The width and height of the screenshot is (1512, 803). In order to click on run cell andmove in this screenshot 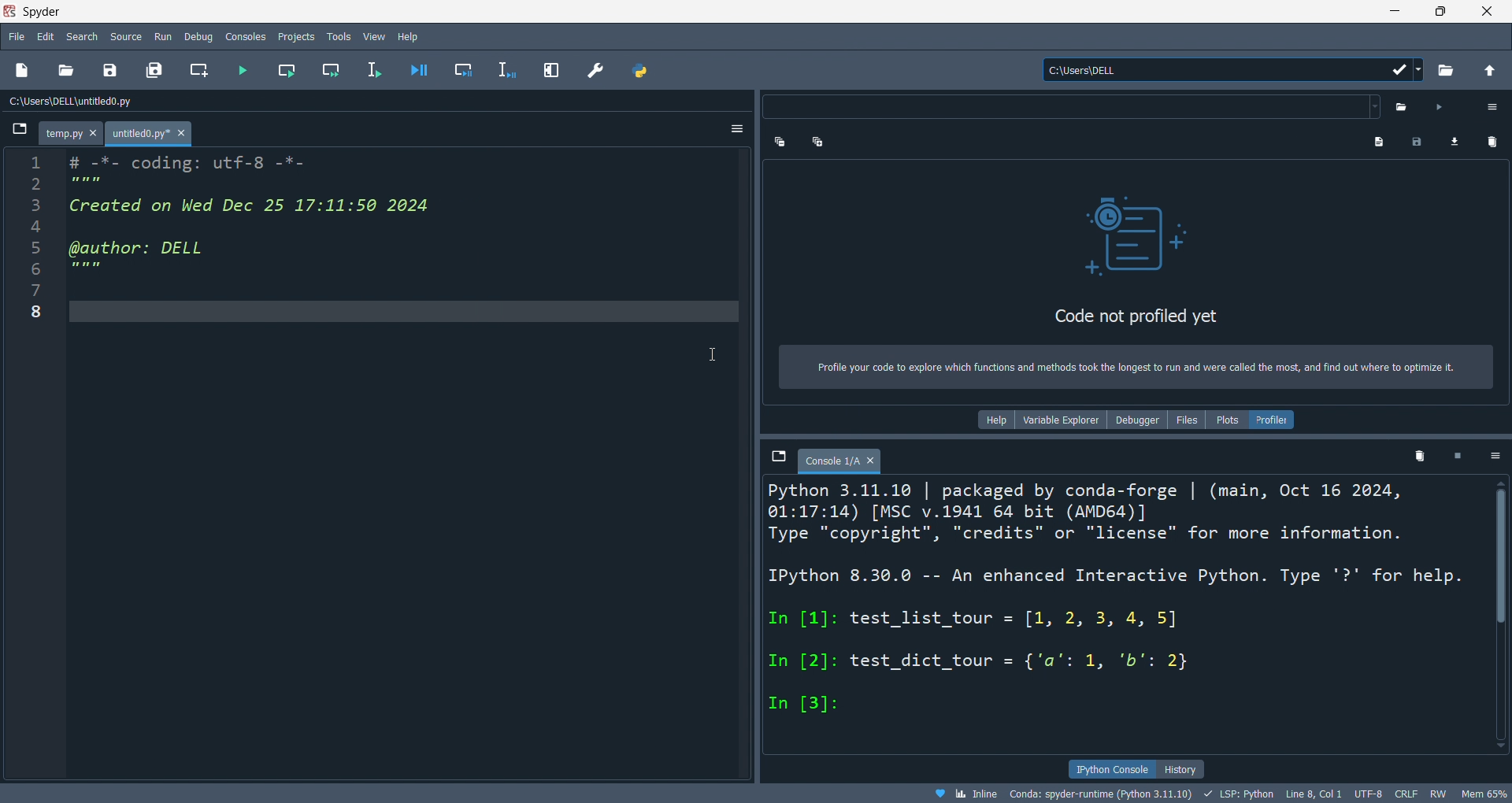, I will do `click(335, 69)`.